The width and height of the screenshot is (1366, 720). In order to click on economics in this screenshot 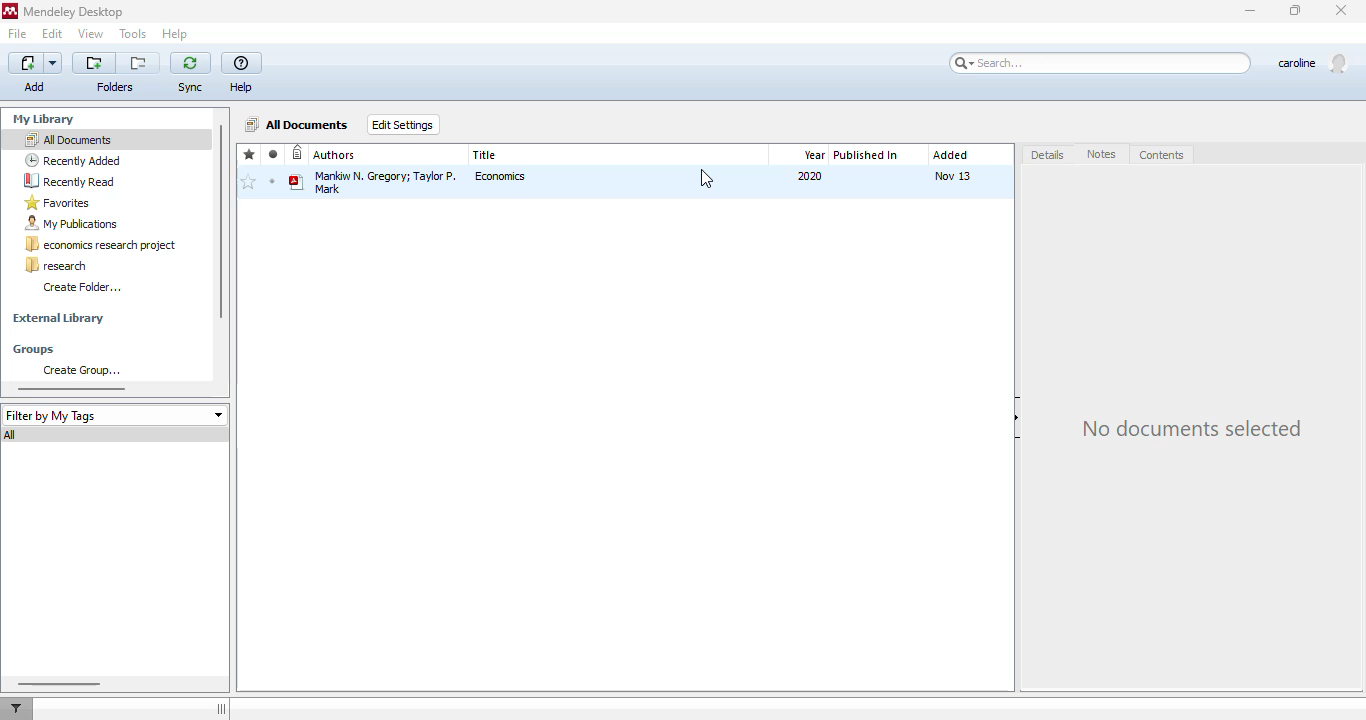, I will do `click(502, 176)`.